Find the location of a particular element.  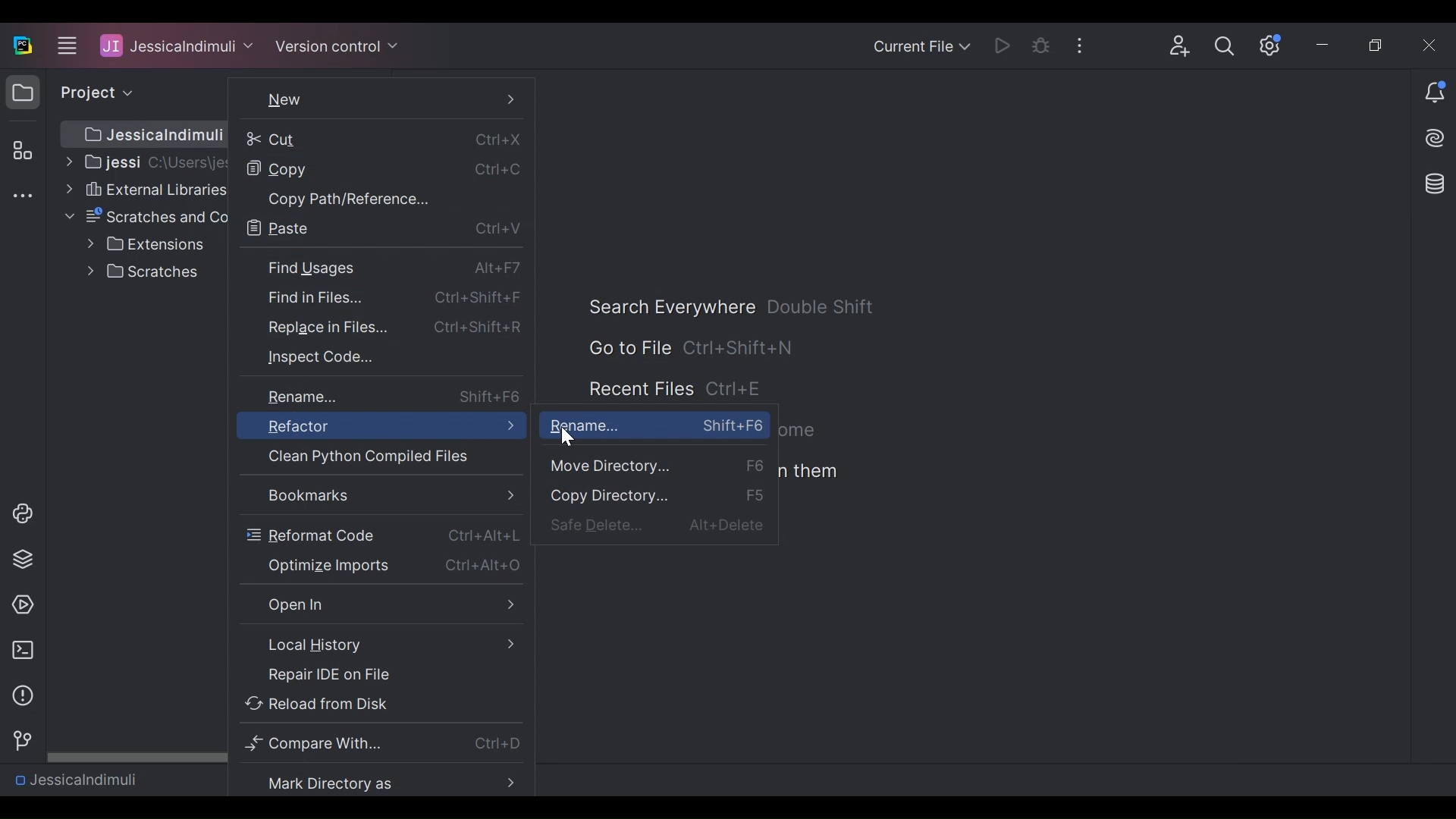

Clean Files Compiled is located at coordinates (361, 457).